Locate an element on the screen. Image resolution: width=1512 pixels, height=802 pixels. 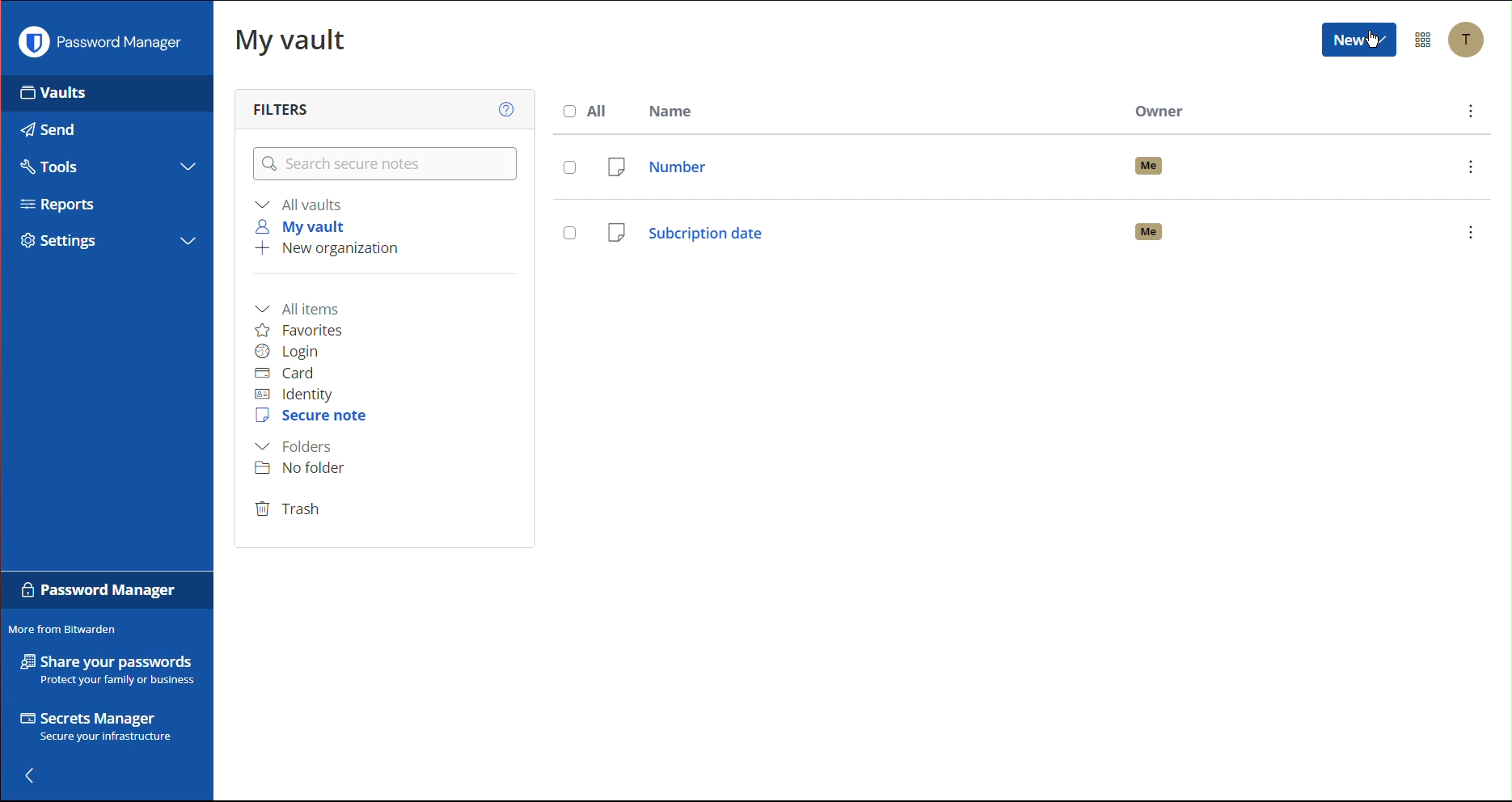
New organization is located at coordinates (327, 251).